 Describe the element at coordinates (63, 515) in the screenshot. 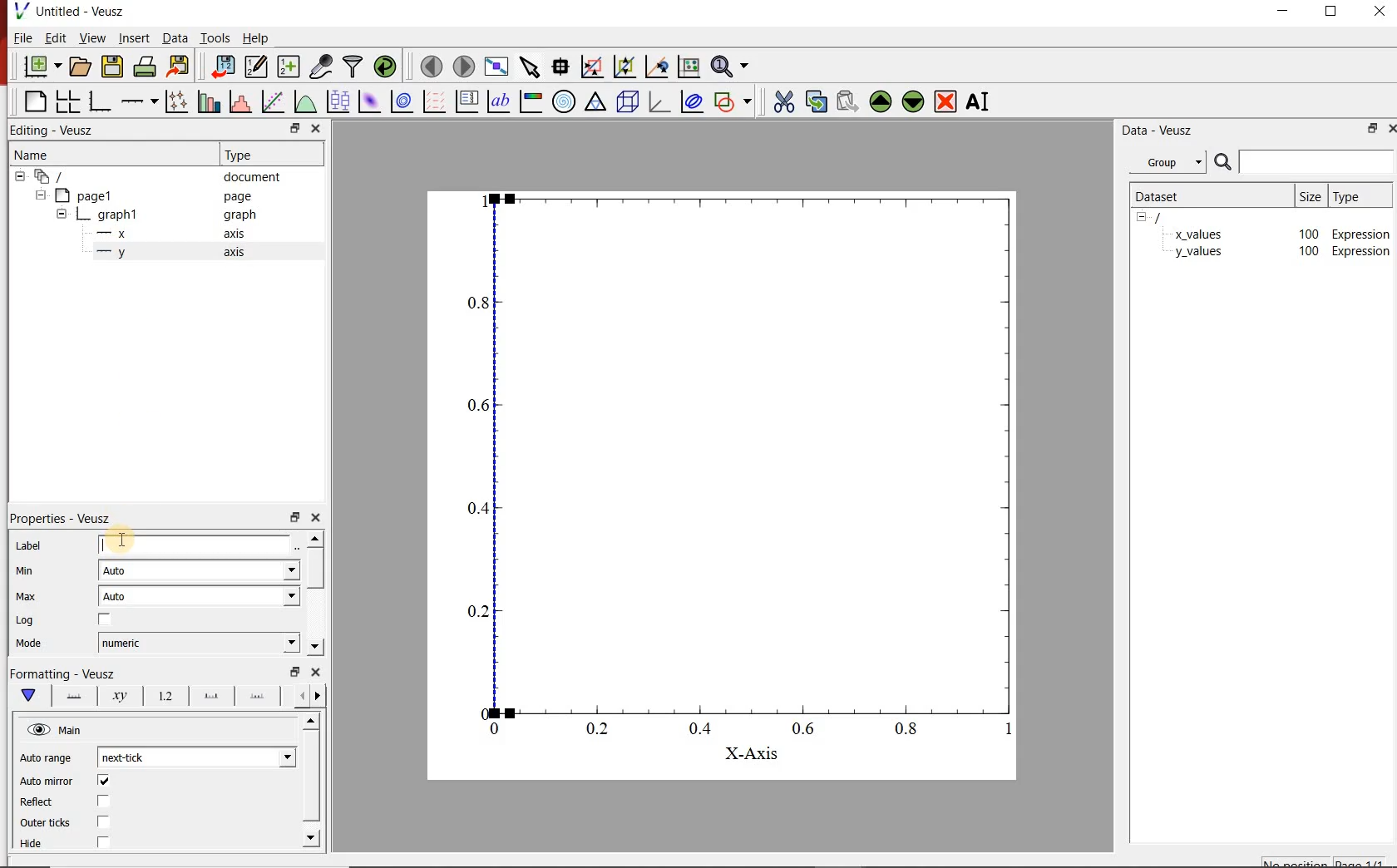

I see `| Properties - Veusz` at that location.